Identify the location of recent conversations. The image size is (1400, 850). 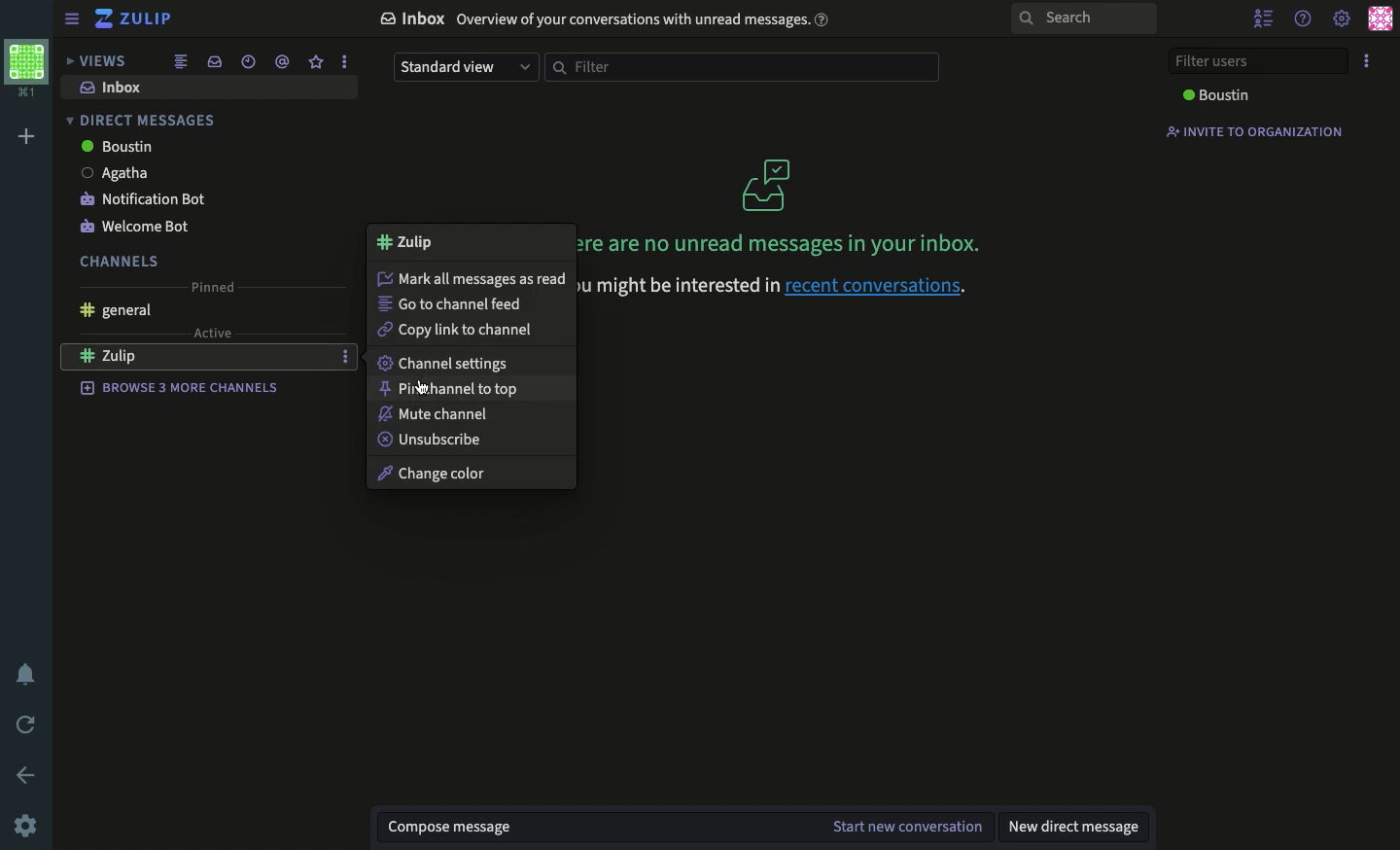
(890, 286).